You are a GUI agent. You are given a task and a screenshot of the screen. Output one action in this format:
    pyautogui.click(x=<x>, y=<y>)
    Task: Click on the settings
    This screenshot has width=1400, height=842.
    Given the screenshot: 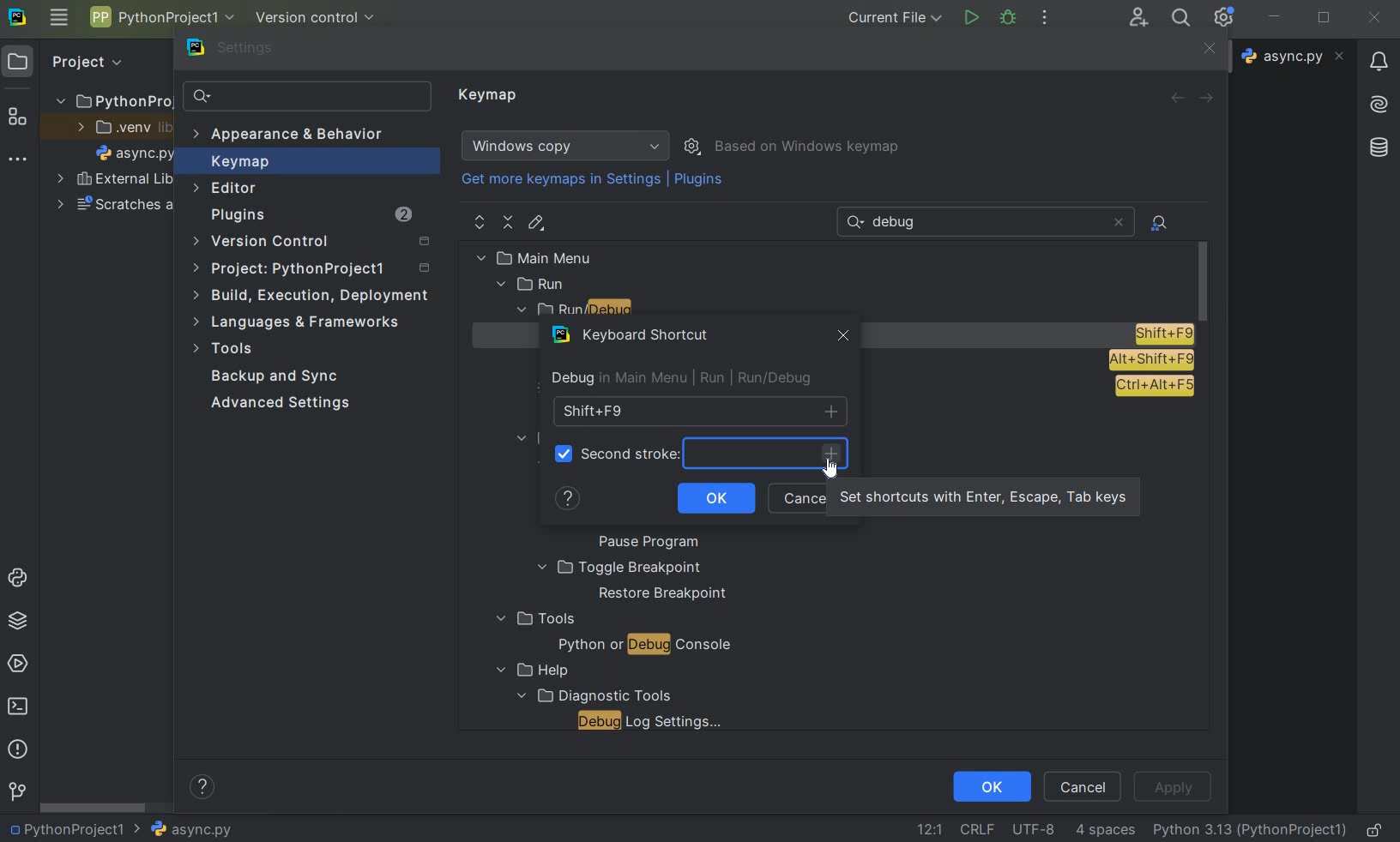 What is the action you would take?
    pyautogui.click(x=241, y=51)
    